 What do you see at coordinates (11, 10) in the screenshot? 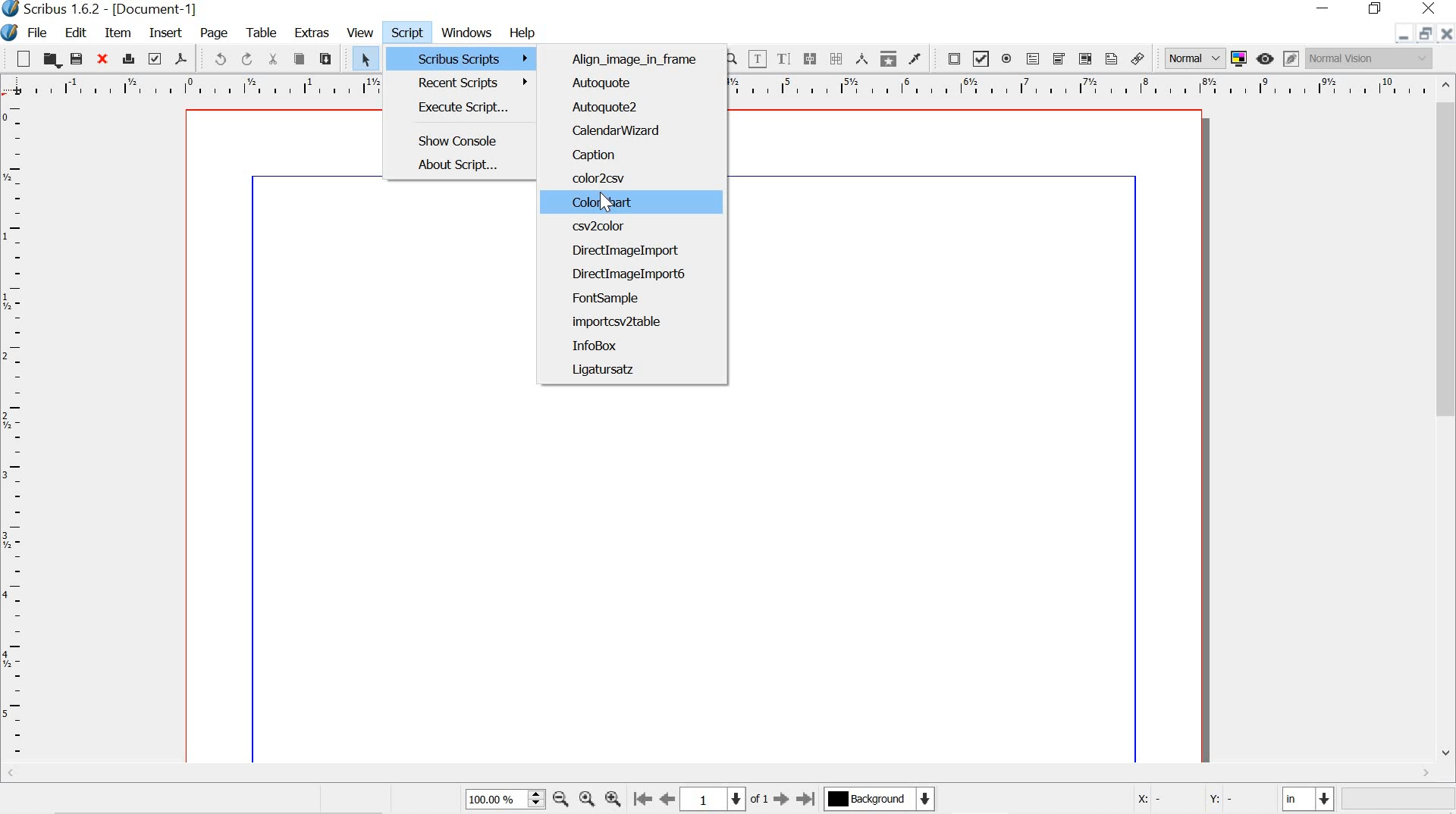
I see `scribus logo` at bounding box center [11, 10].